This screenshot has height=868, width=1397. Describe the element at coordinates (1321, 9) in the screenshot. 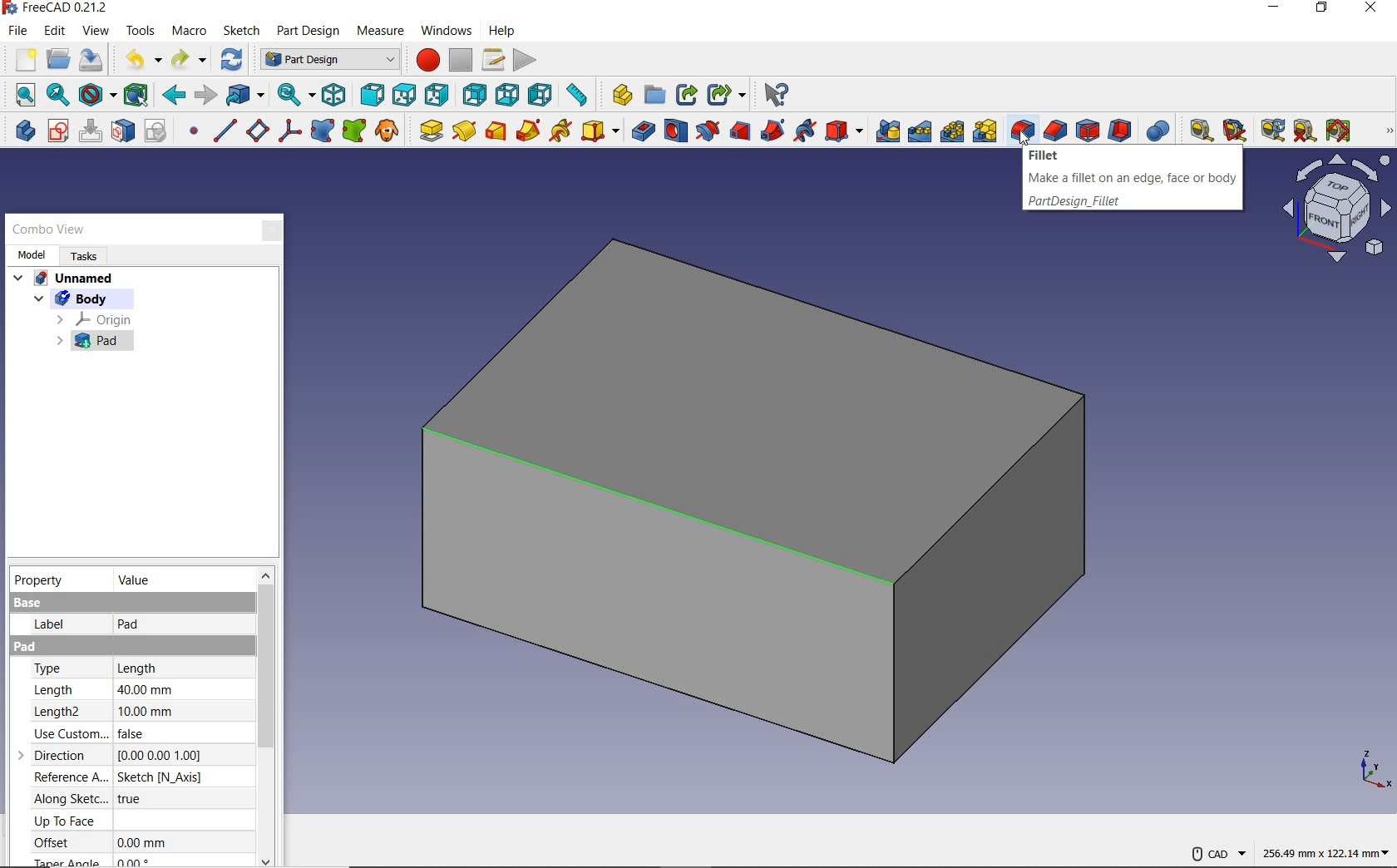

I see `restore down` at that location.